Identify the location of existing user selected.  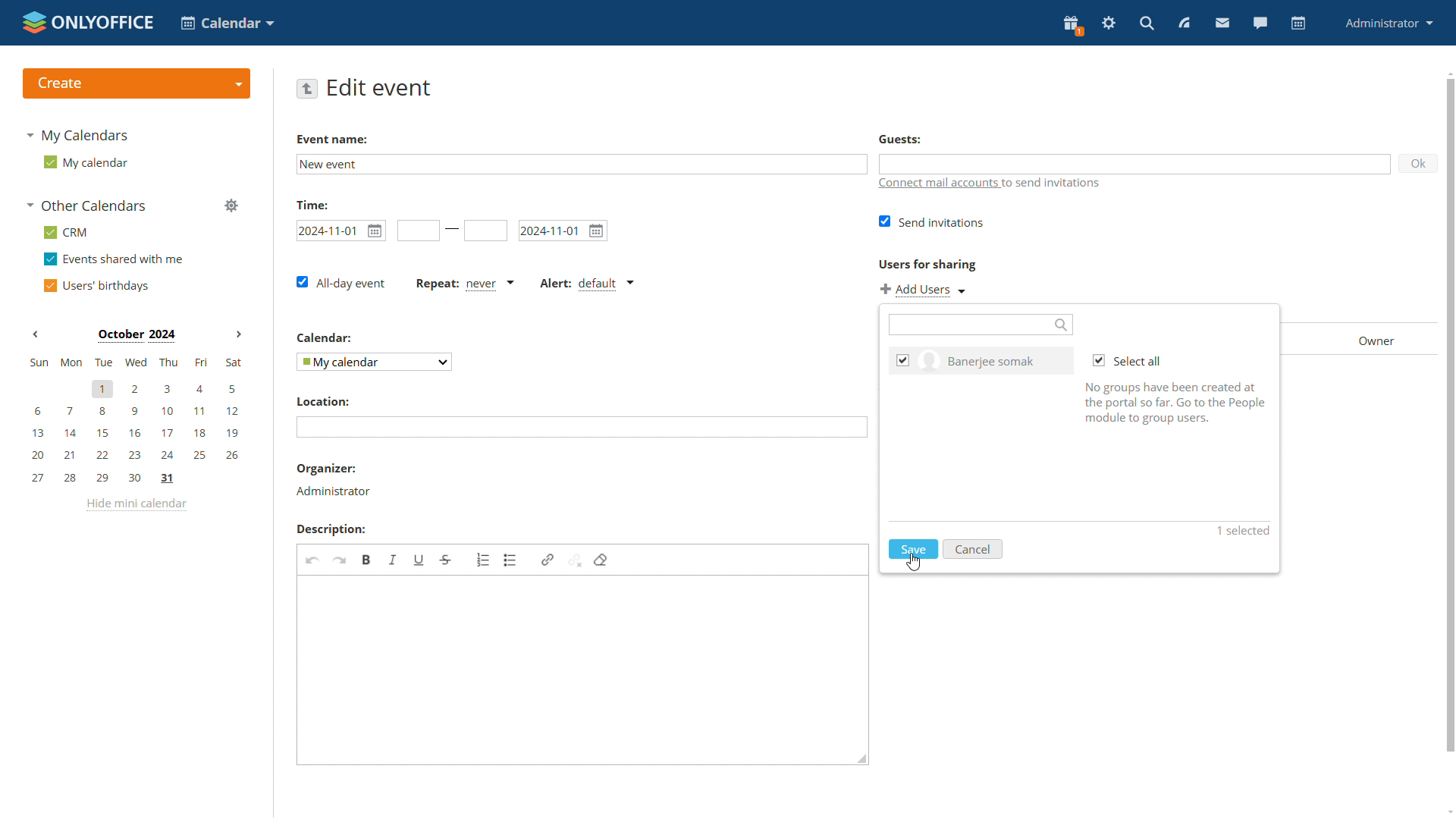
(903, 360).